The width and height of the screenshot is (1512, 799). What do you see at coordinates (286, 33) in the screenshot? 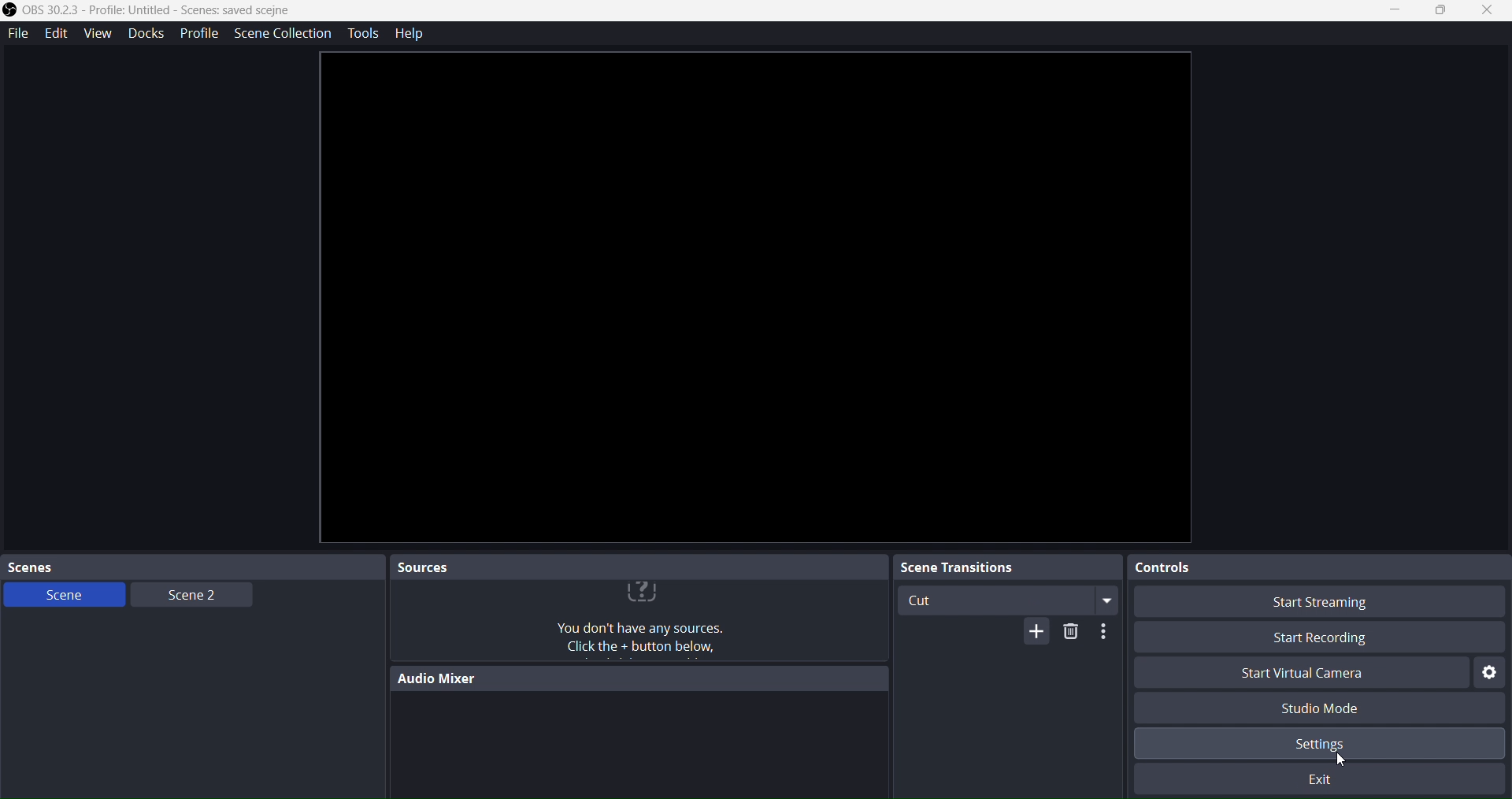
I see `SceneCollection` at bounding box center [286, 33].